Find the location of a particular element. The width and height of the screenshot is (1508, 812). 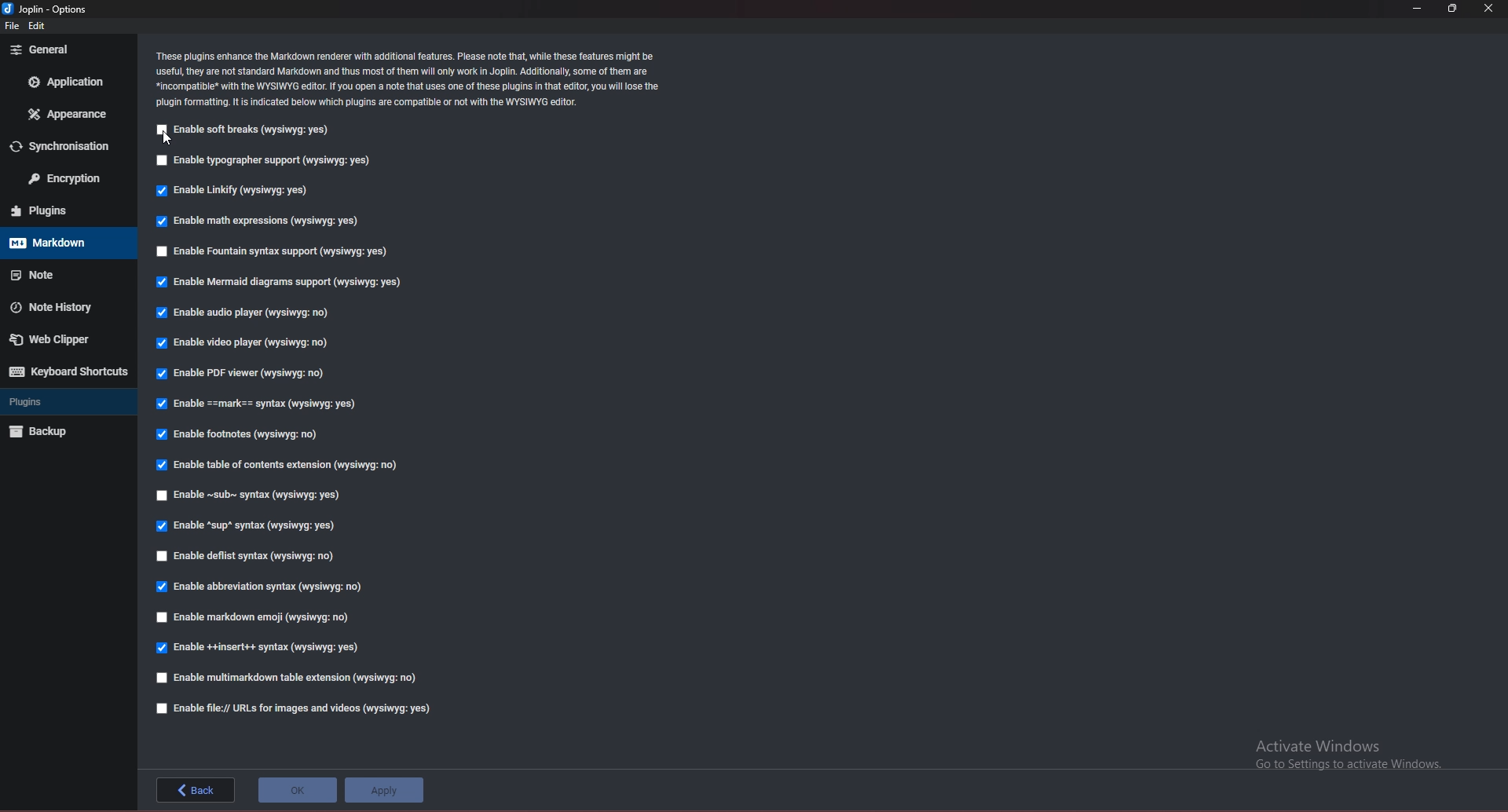

enable soft breaks is located at coordinates (247, 130).